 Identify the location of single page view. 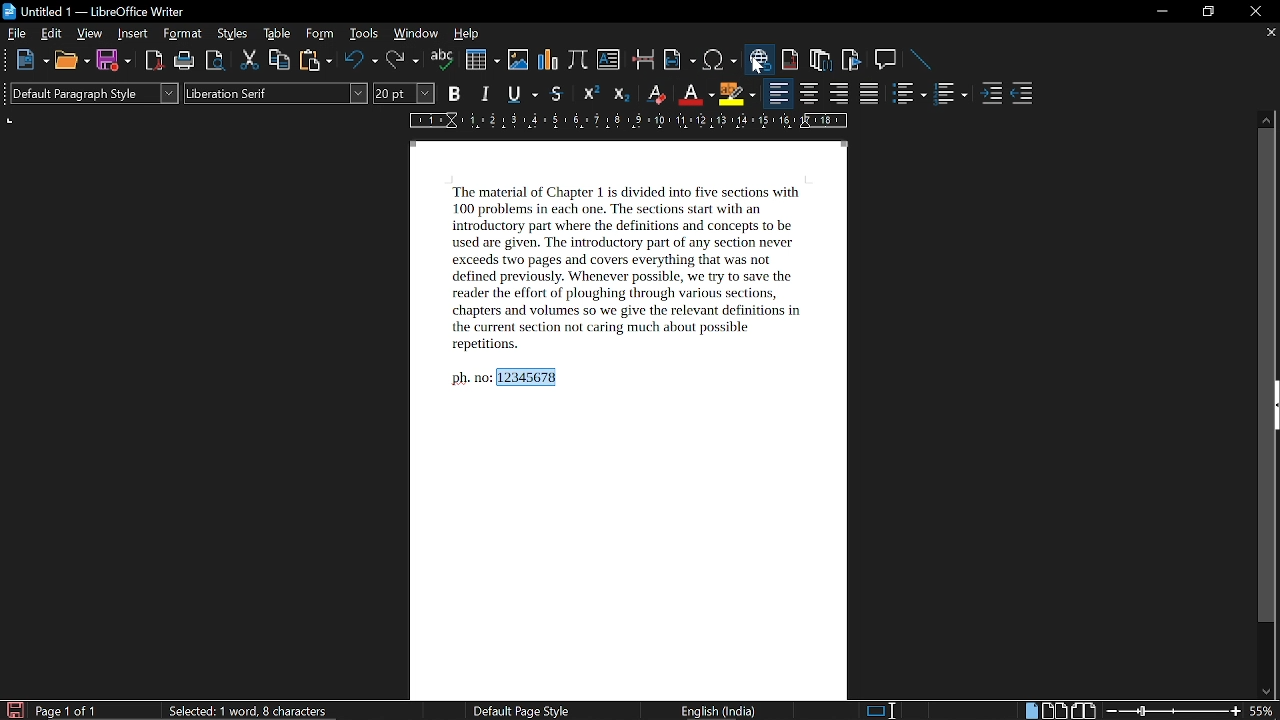
(1030, 710).